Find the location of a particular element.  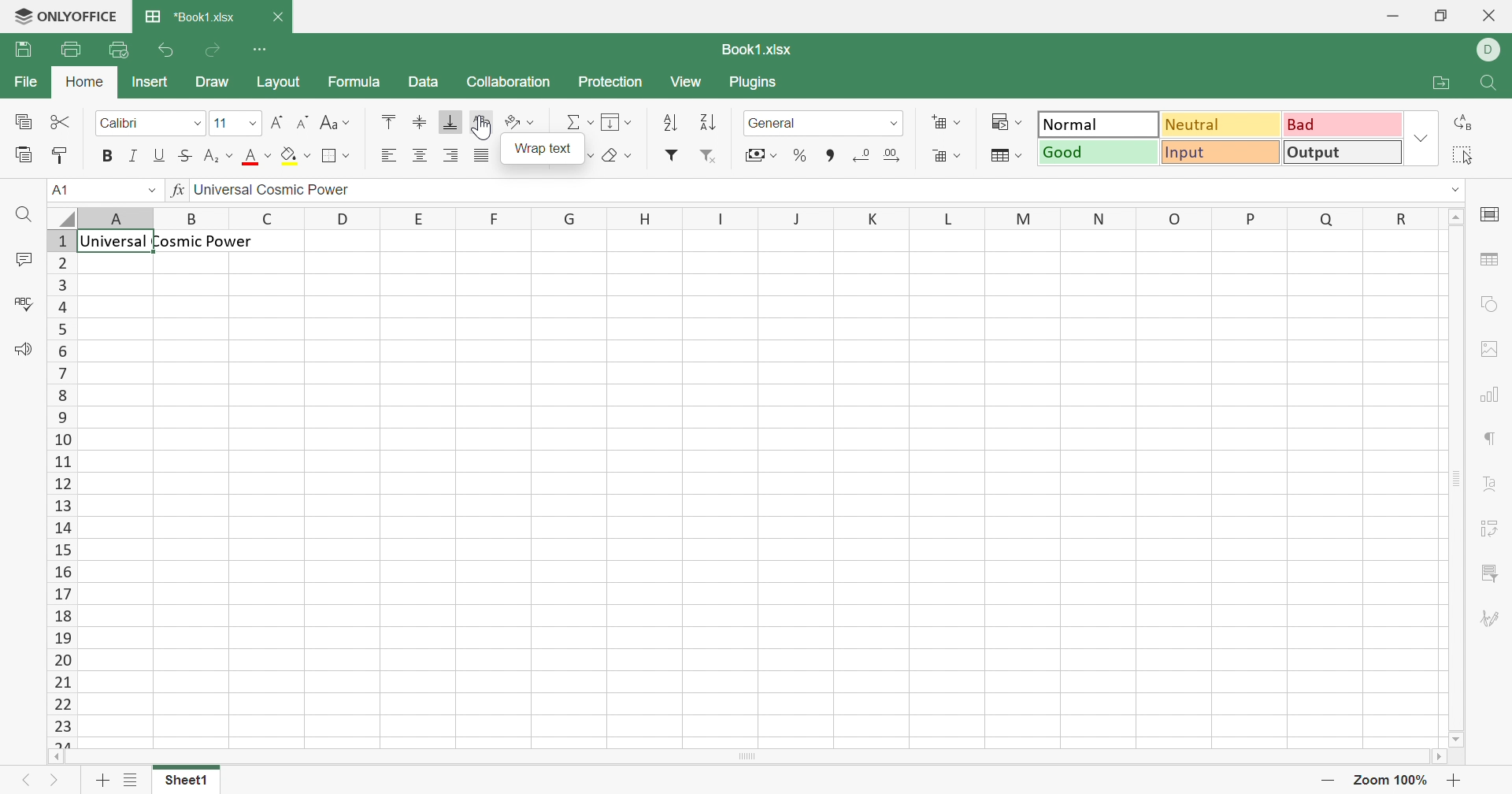

ONLYOFFICE is located at coordinates (65, 17).